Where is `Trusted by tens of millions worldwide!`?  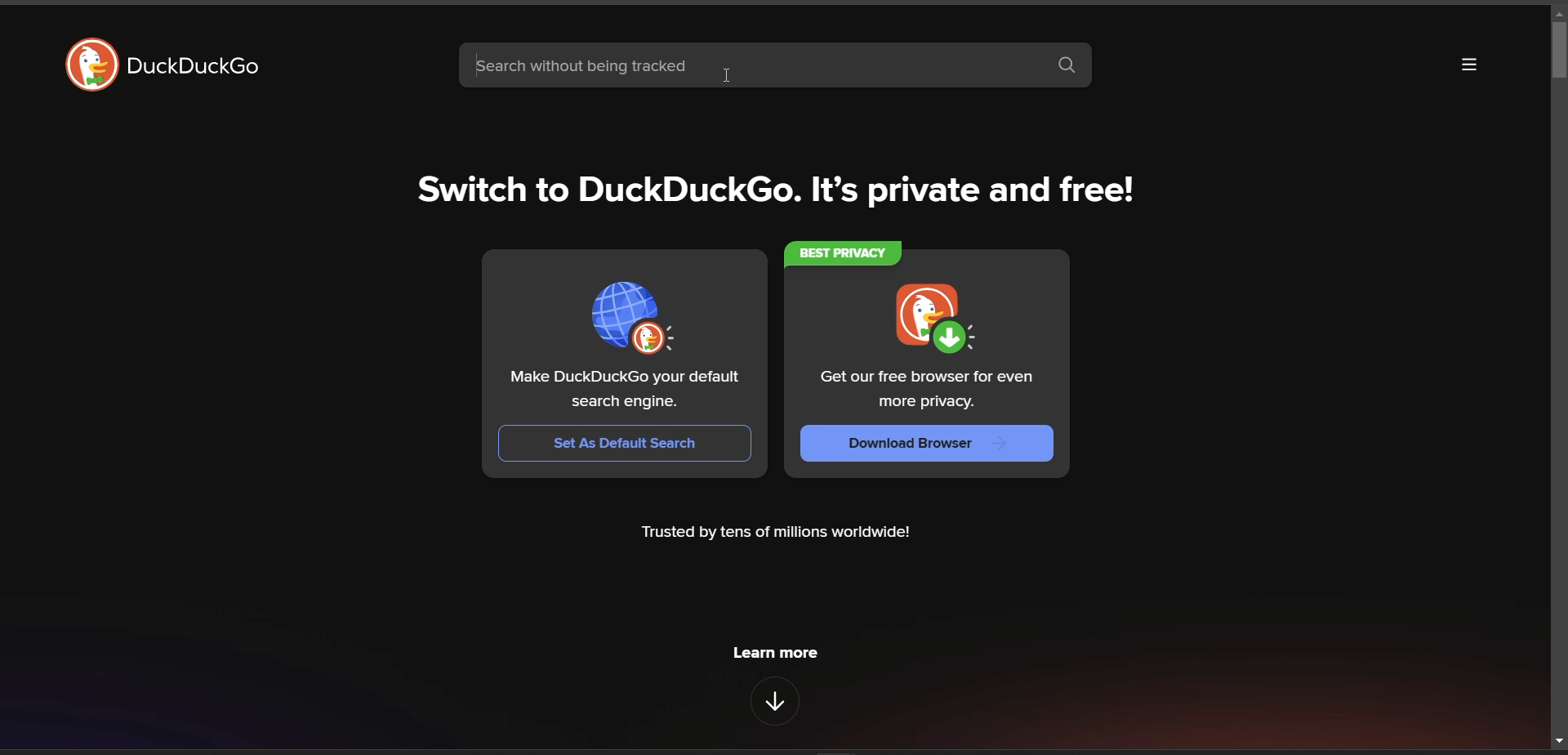 Trusted by tens of millions worldwide! is located at coordinates (775, 534).